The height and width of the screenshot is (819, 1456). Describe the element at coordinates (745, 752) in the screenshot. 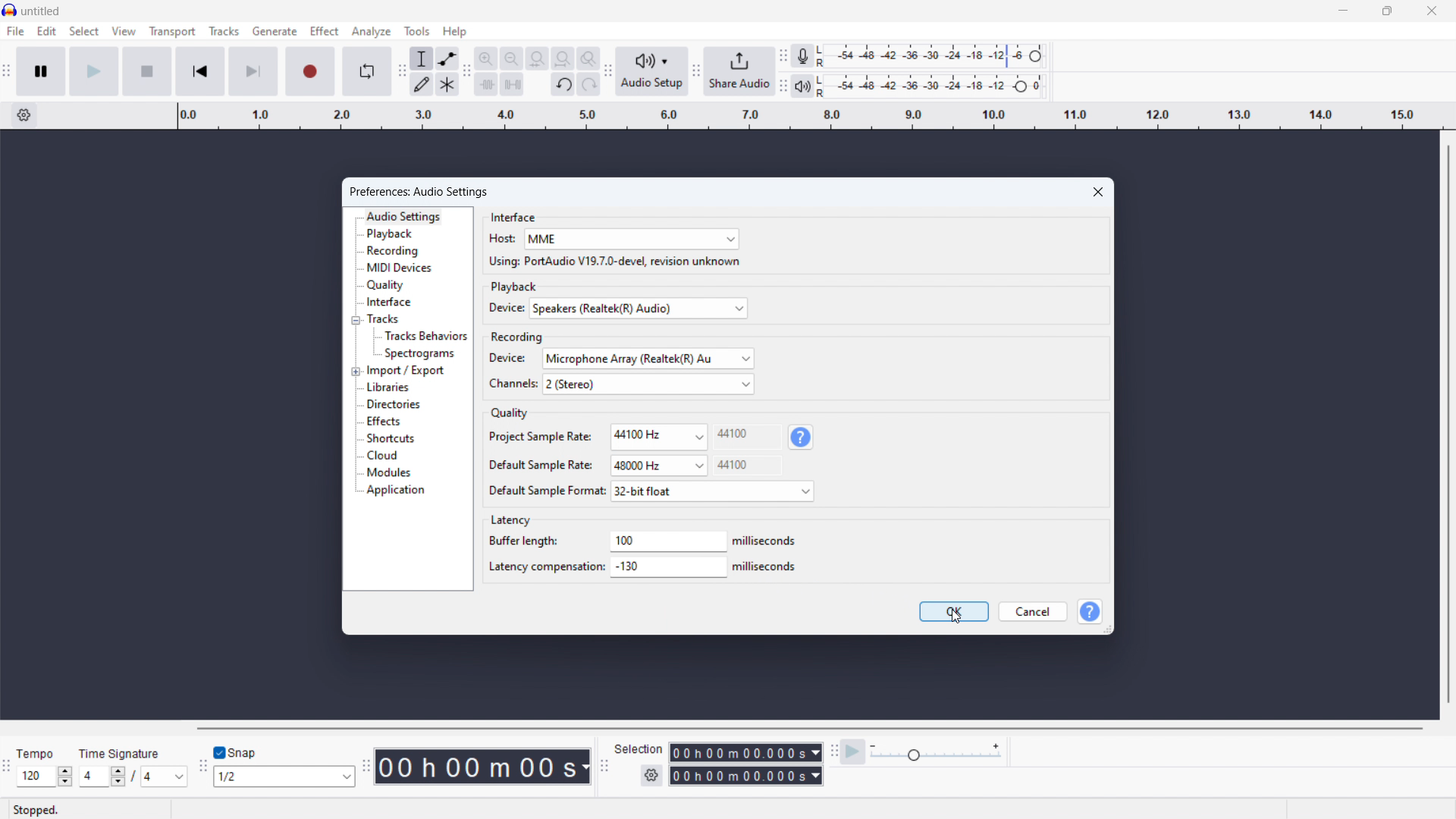

I see `start time` at that location.